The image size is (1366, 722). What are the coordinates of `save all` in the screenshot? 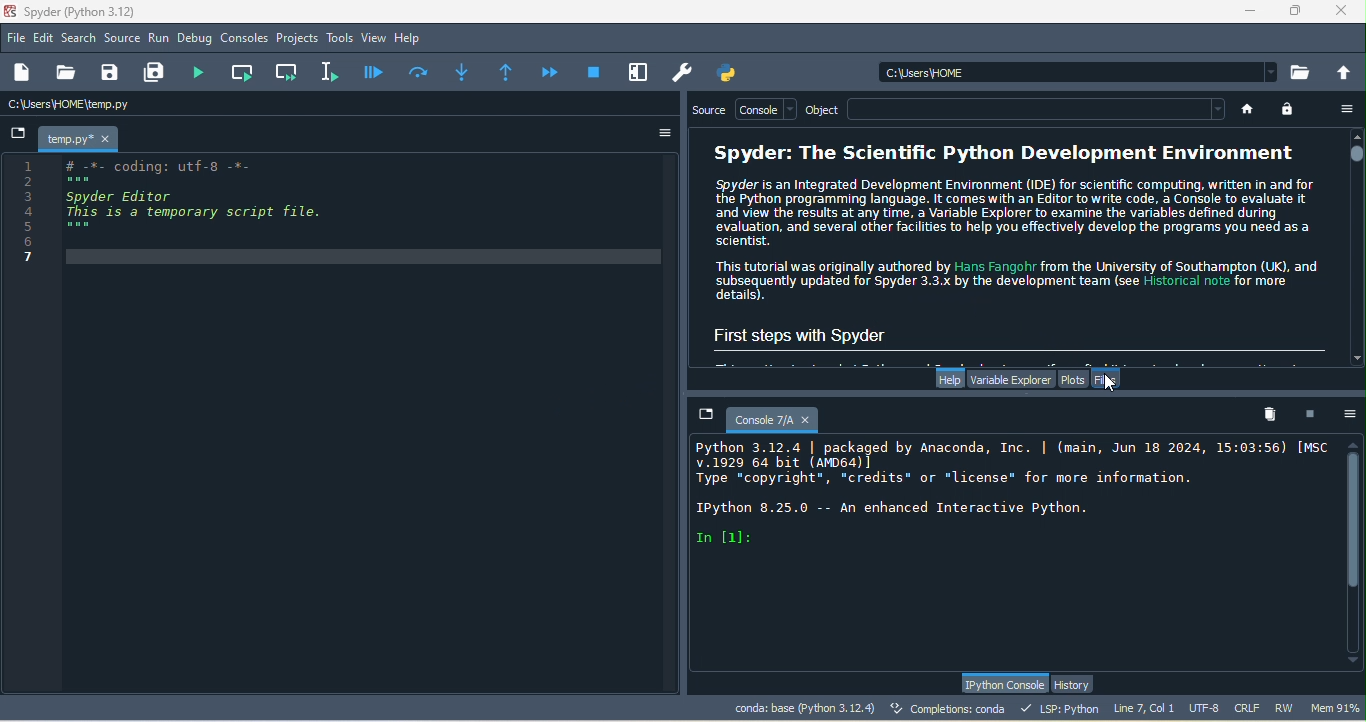 It's located at (158, 73).